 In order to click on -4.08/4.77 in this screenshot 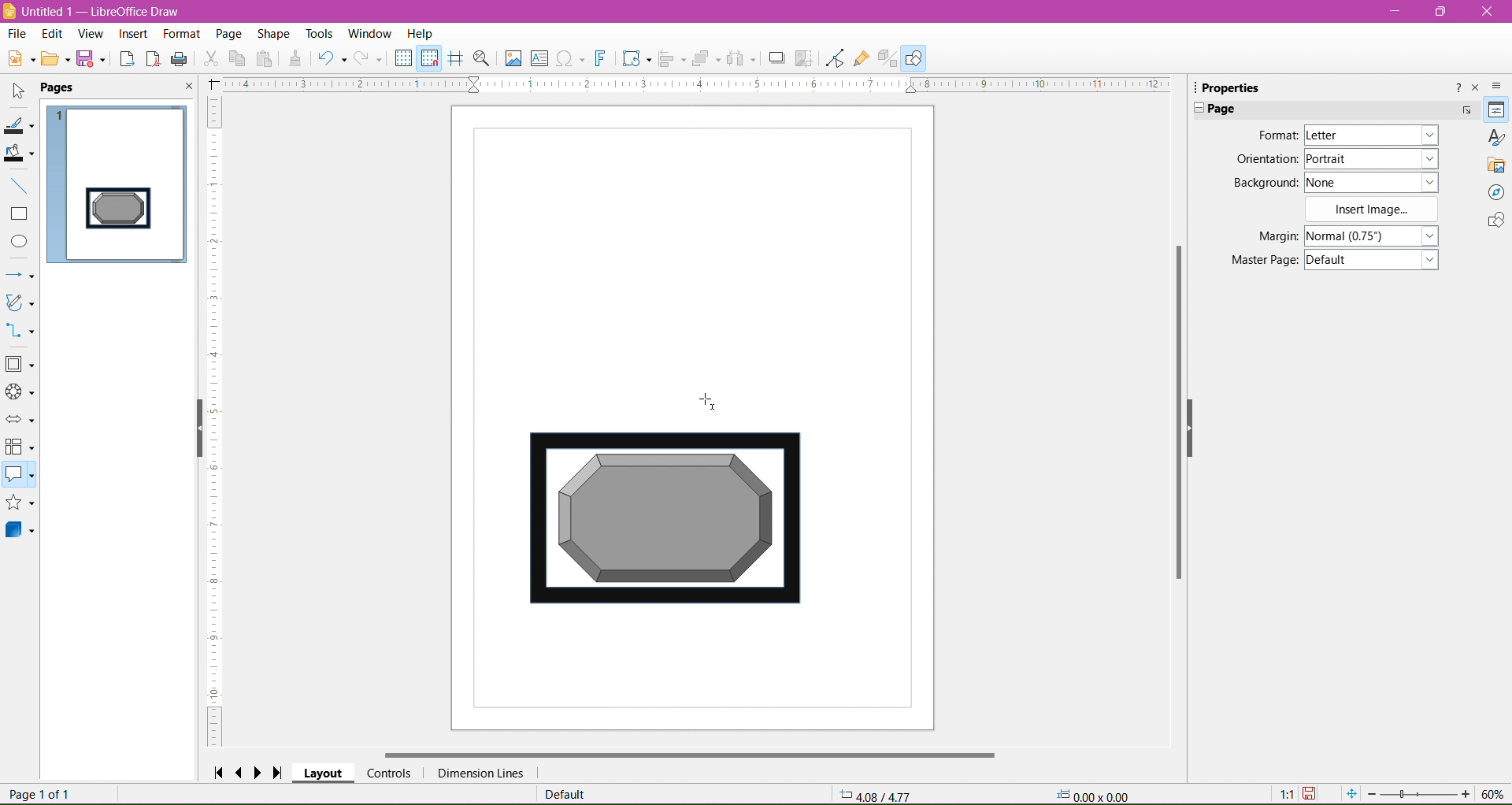, I will do `click(876, 794)`.